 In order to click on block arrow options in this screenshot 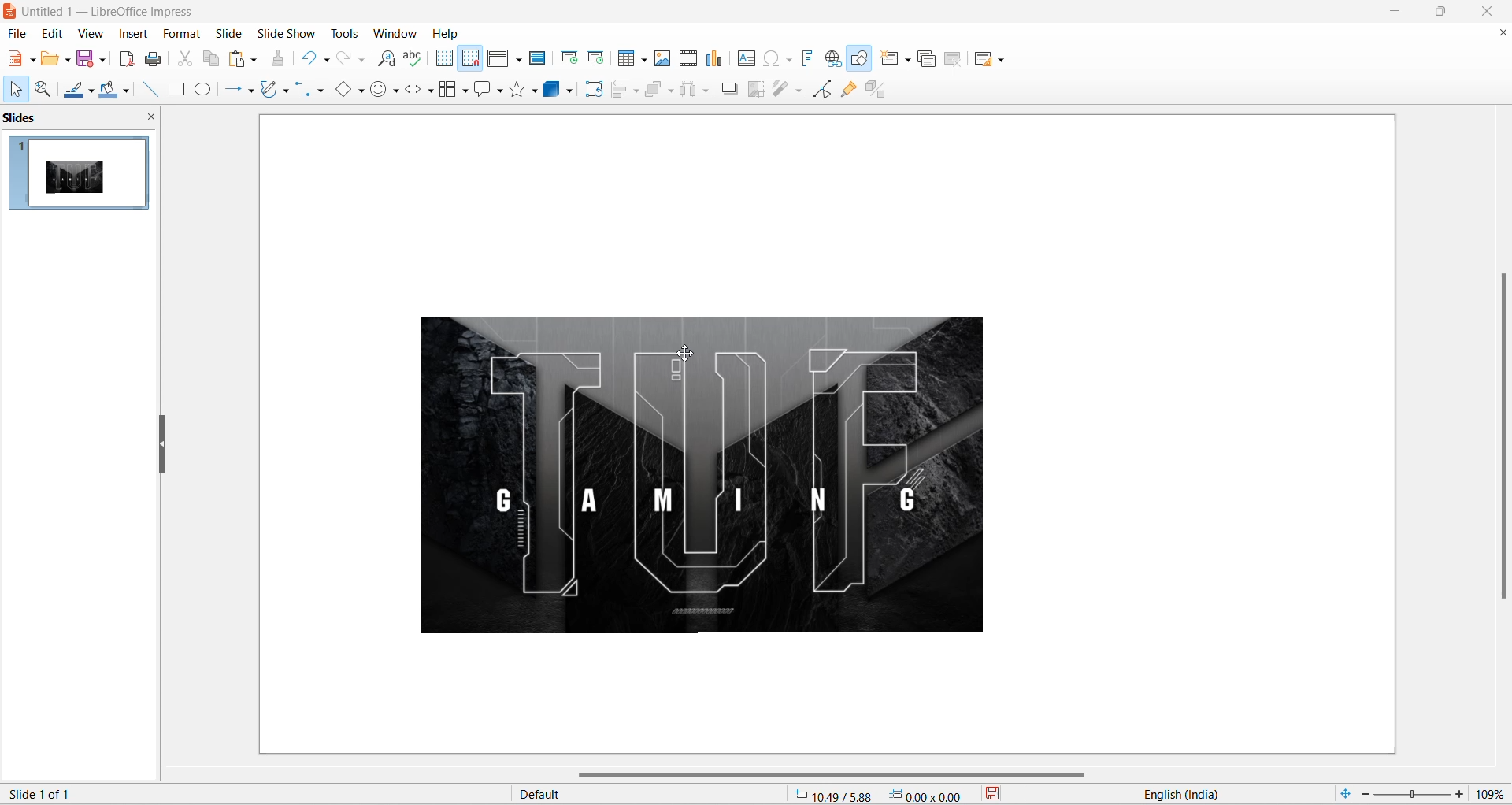, I will do `click(431, 92)`.